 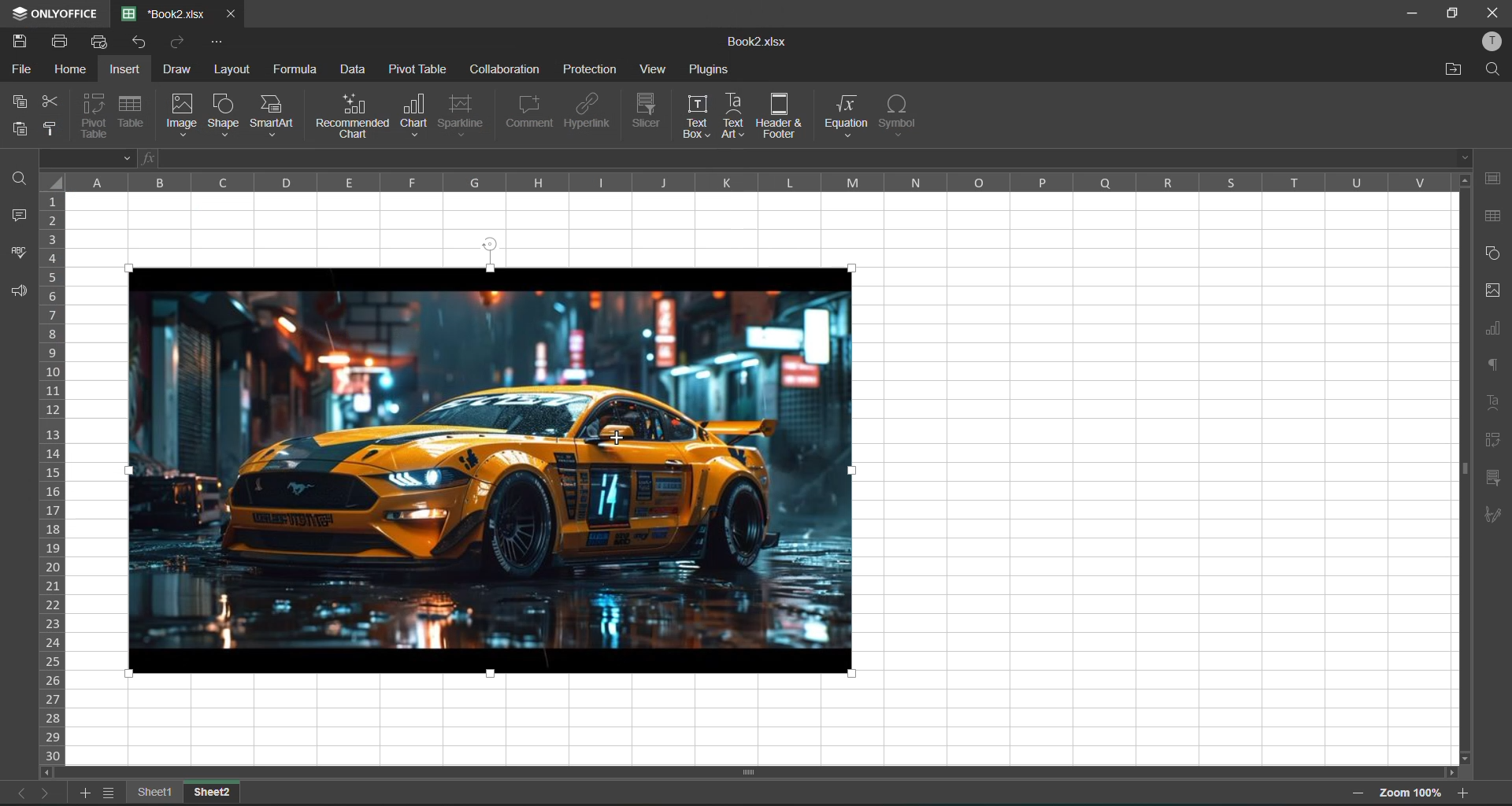 I want to click on data, so click(x=355, y=70).